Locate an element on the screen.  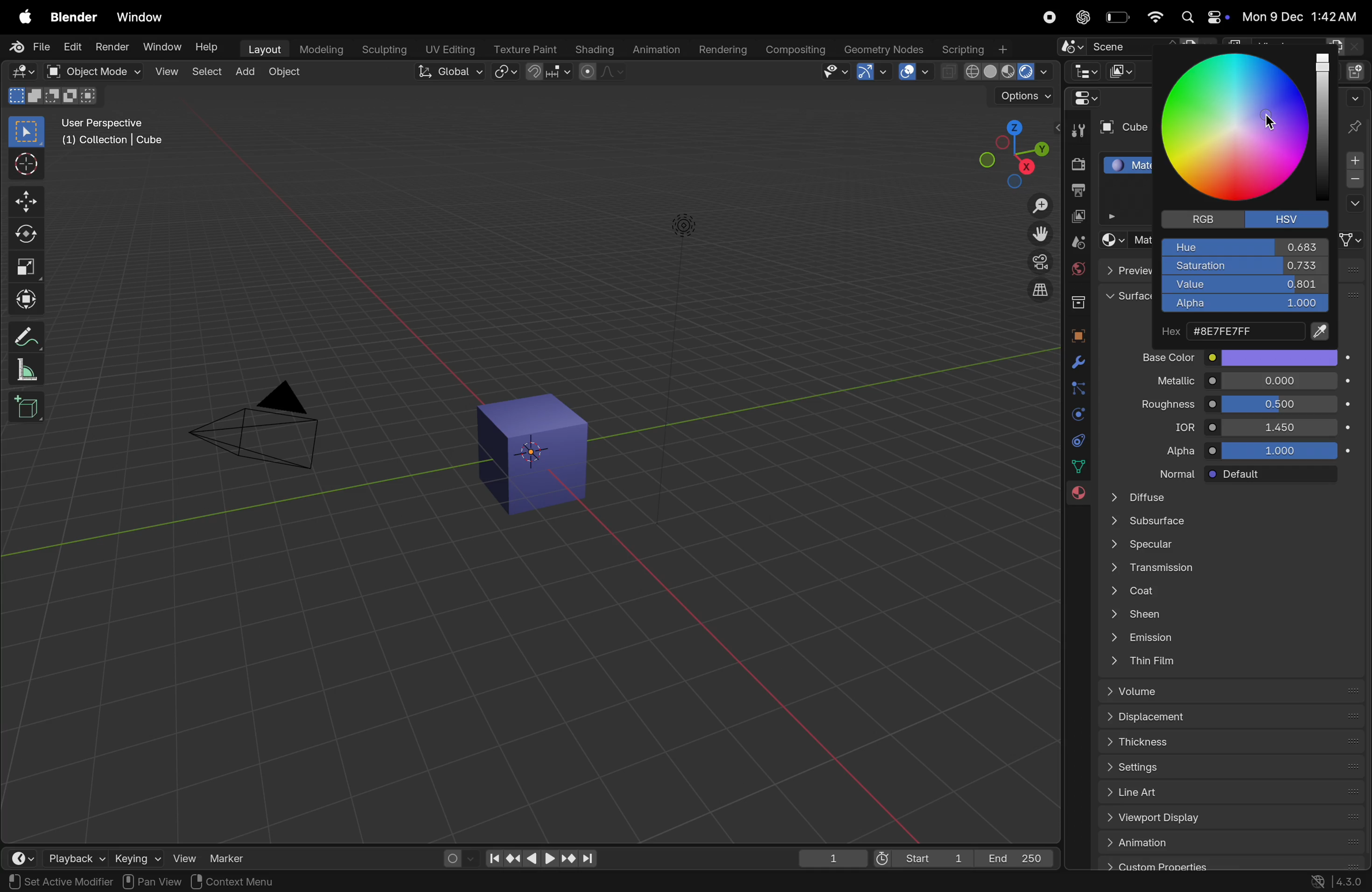
select is located at coordinates (207, 74).